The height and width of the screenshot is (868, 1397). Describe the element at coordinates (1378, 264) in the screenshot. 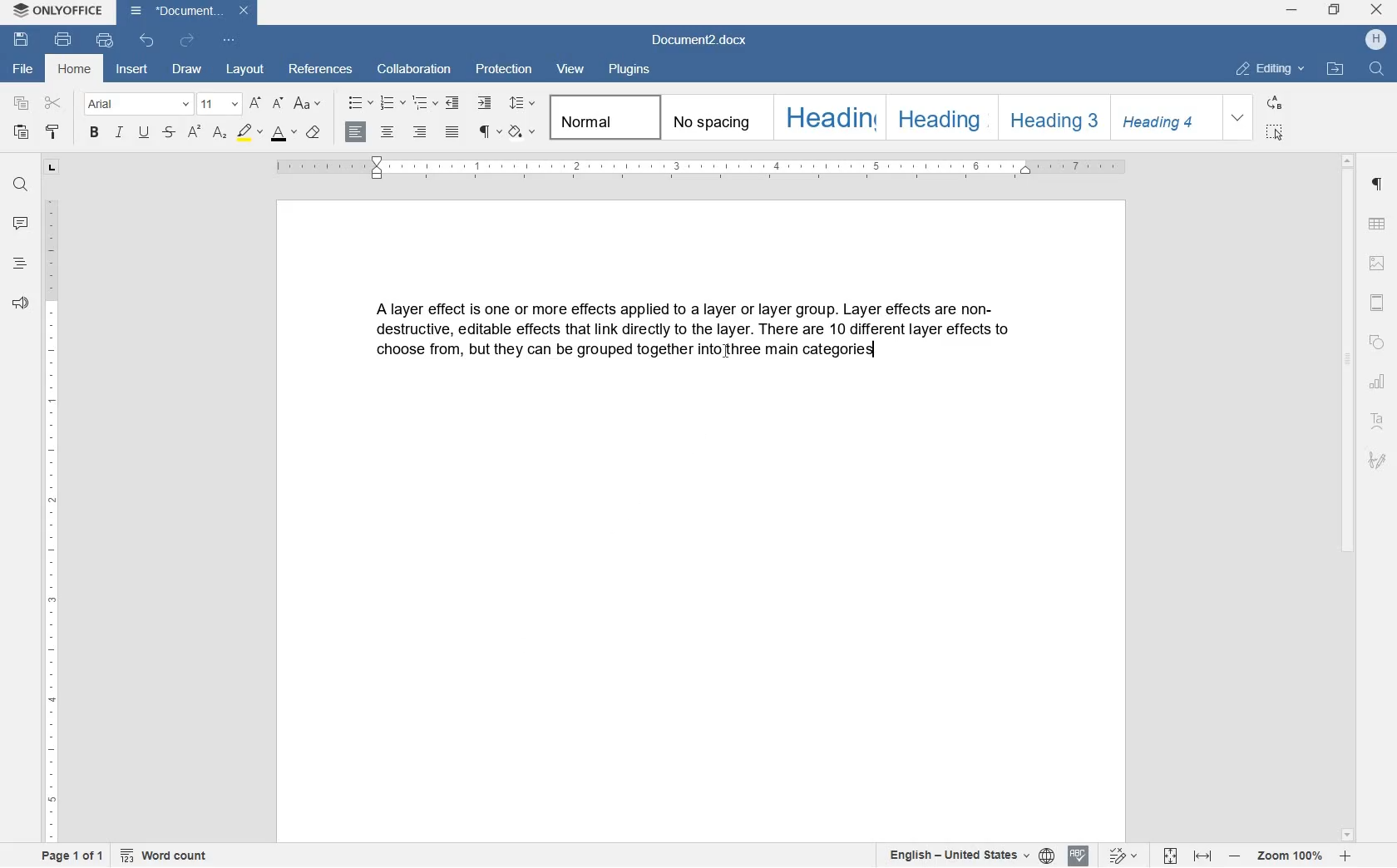

I see `image` at that location.